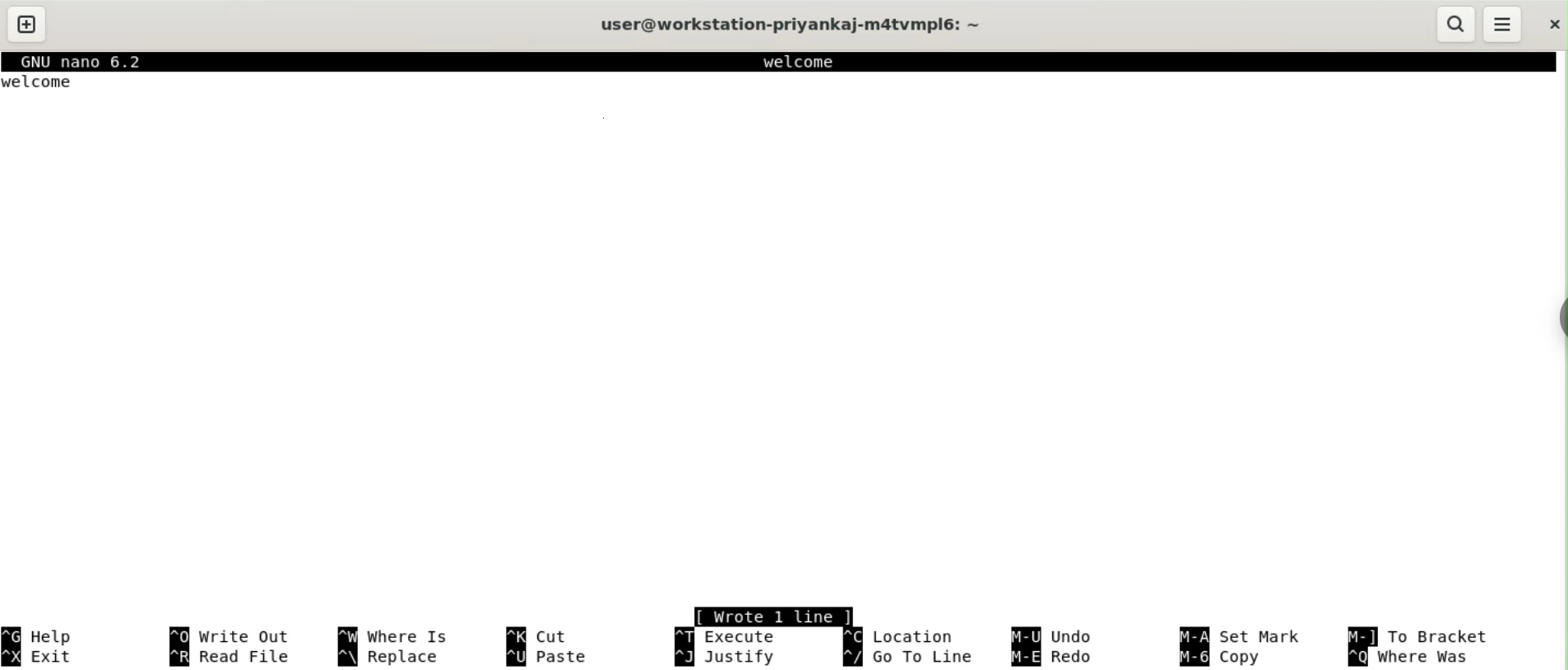  Describe the element at coordinates (554, 658) in the screenshot. I see `paste` at that location.